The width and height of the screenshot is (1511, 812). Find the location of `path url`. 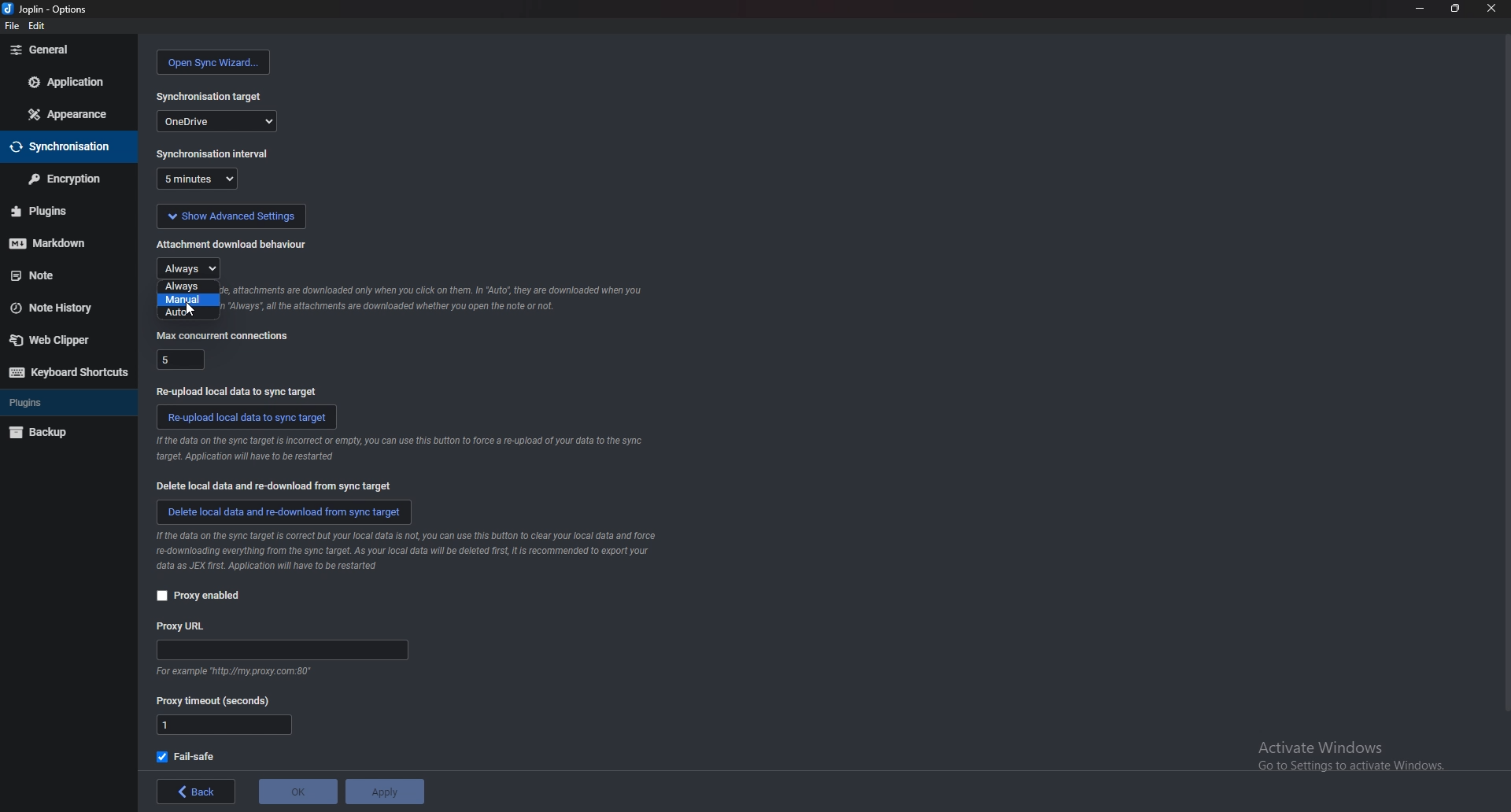

path url is located at coordinates (282, 651).